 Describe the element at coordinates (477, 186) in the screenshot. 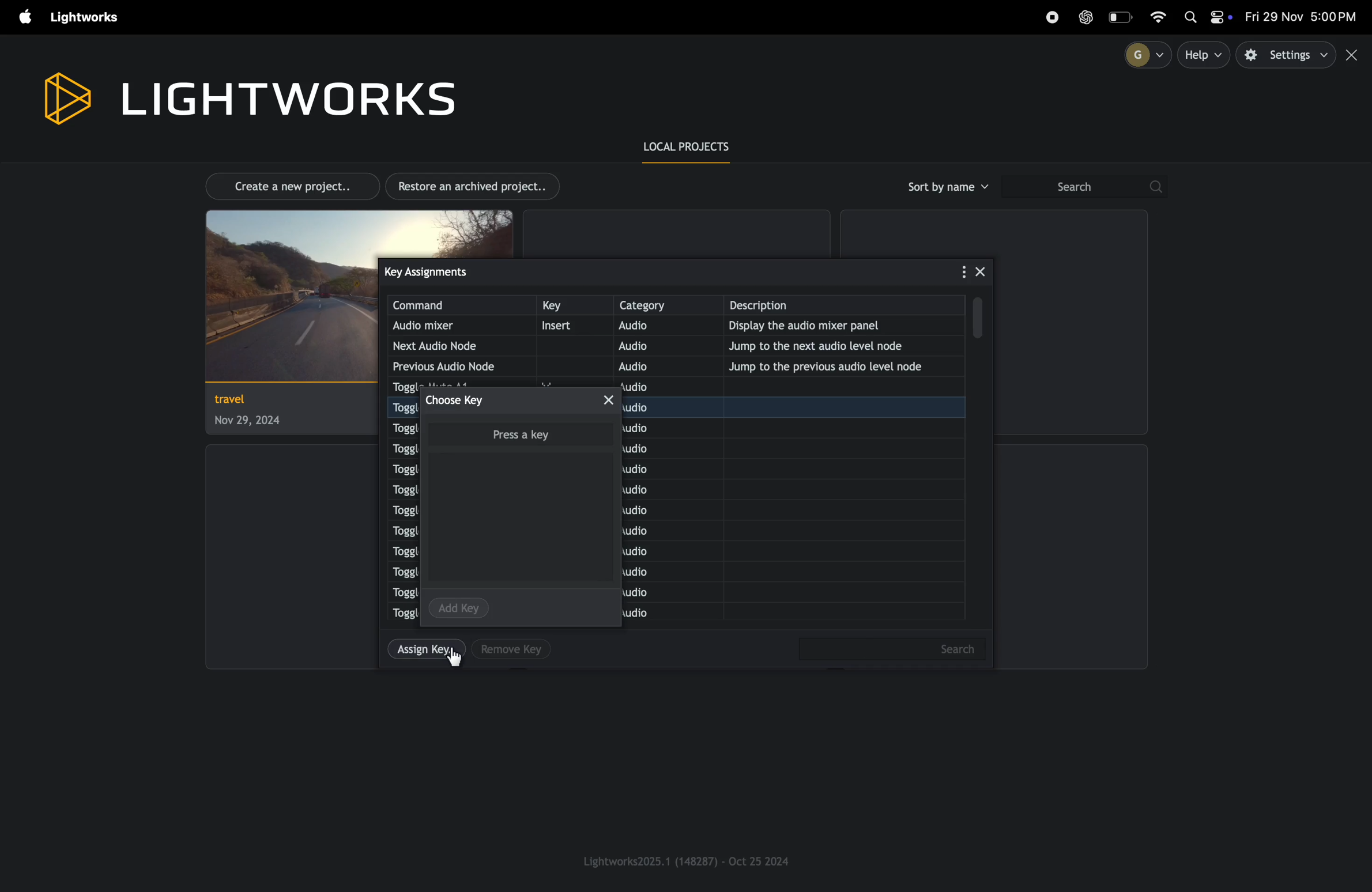

I see `restore archived projects` at that location.